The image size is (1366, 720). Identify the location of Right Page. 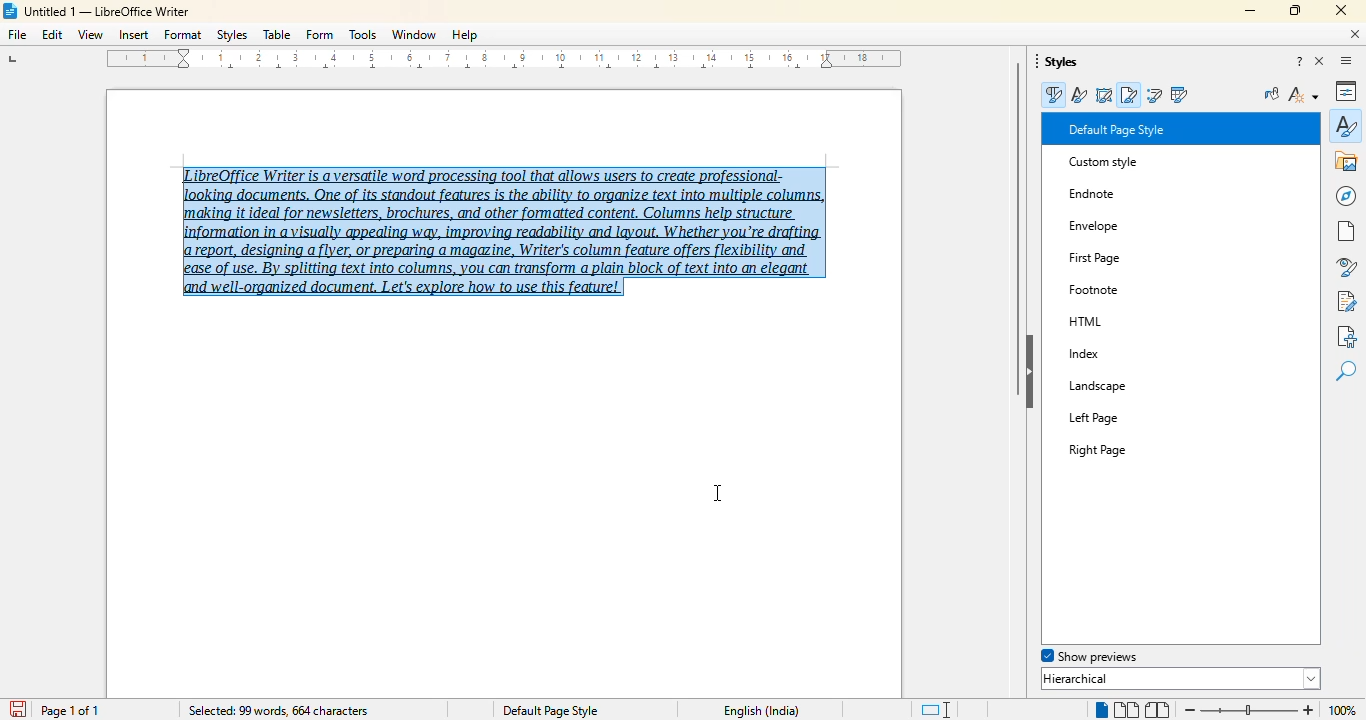
(1113, 451).